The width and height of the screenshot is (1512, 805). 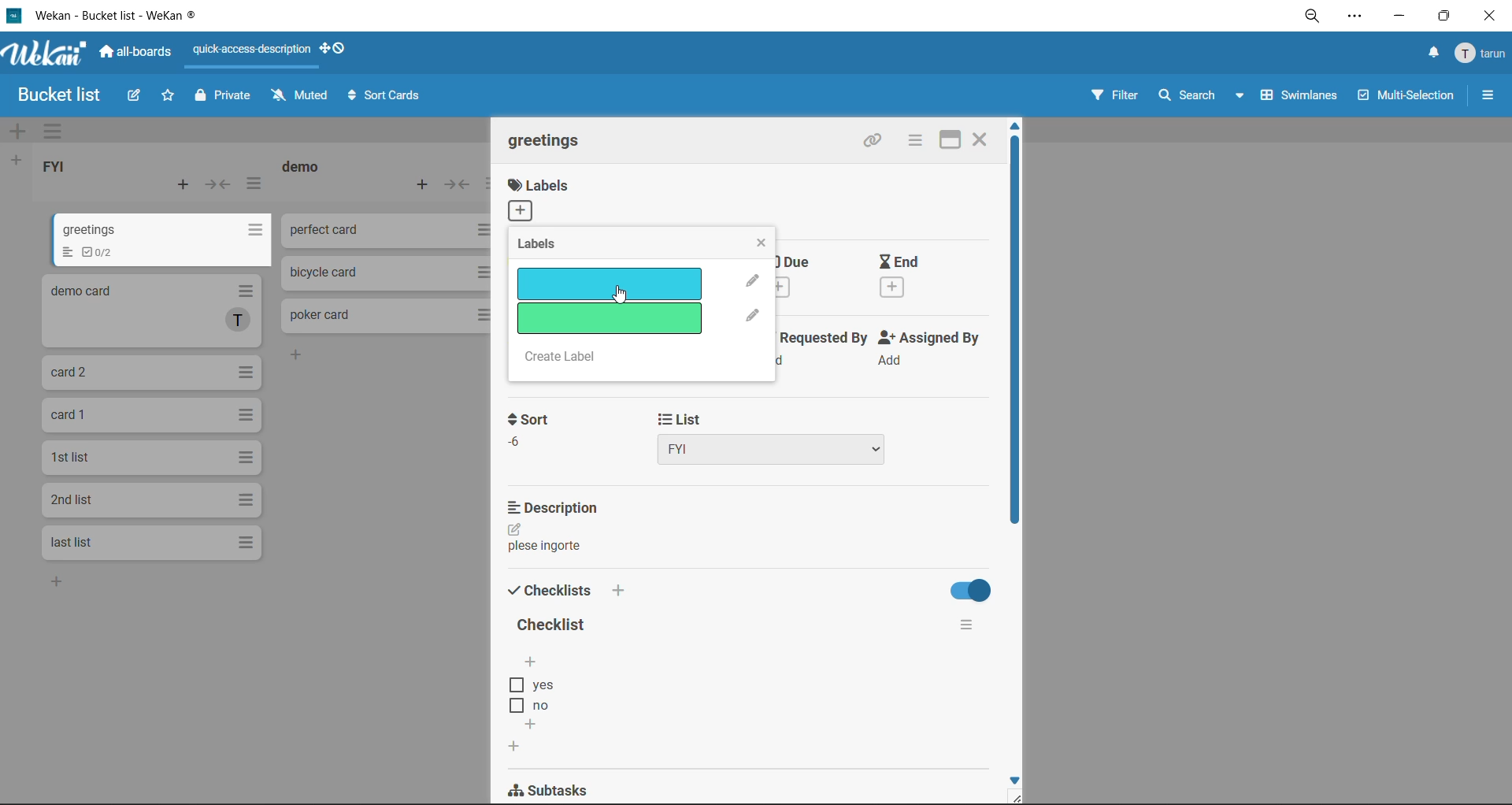 I want to click on all boards, so click(x=136, y=54).